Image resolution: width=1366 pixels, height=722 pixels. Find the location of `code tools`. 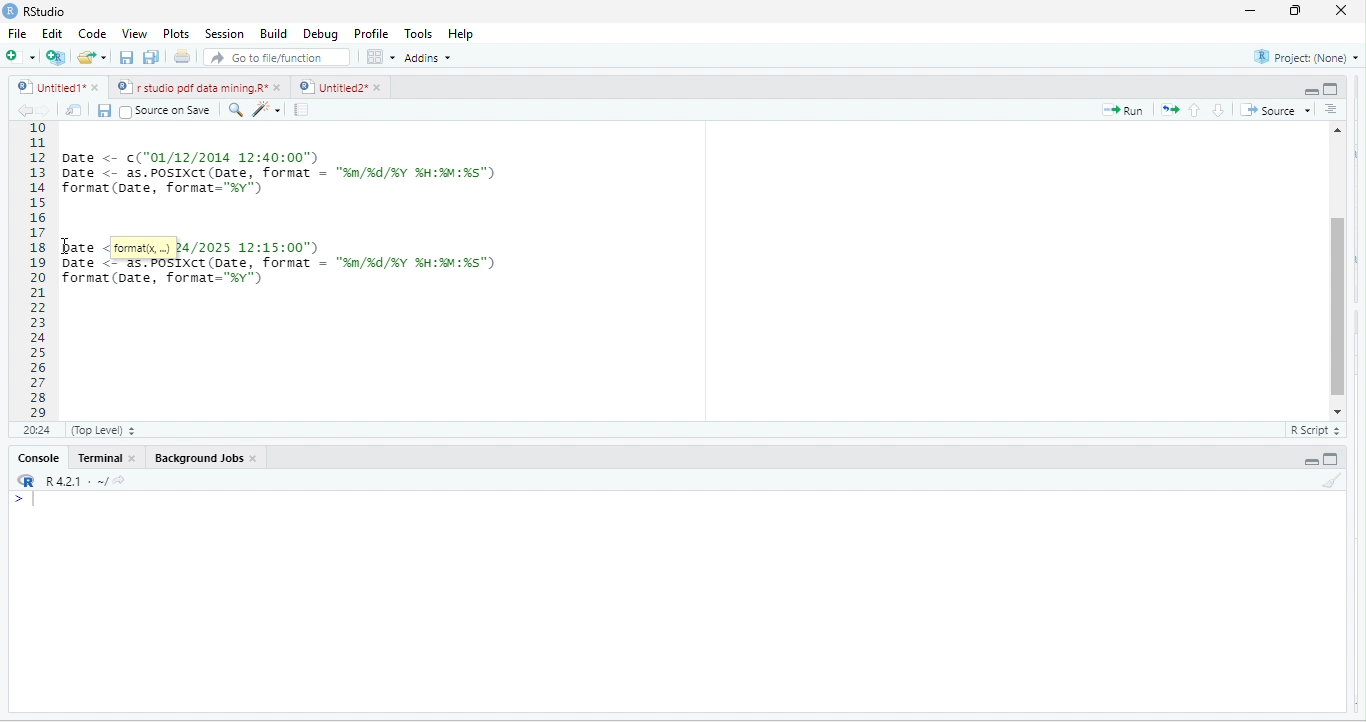

code tools is located at coordinates (268, 110).